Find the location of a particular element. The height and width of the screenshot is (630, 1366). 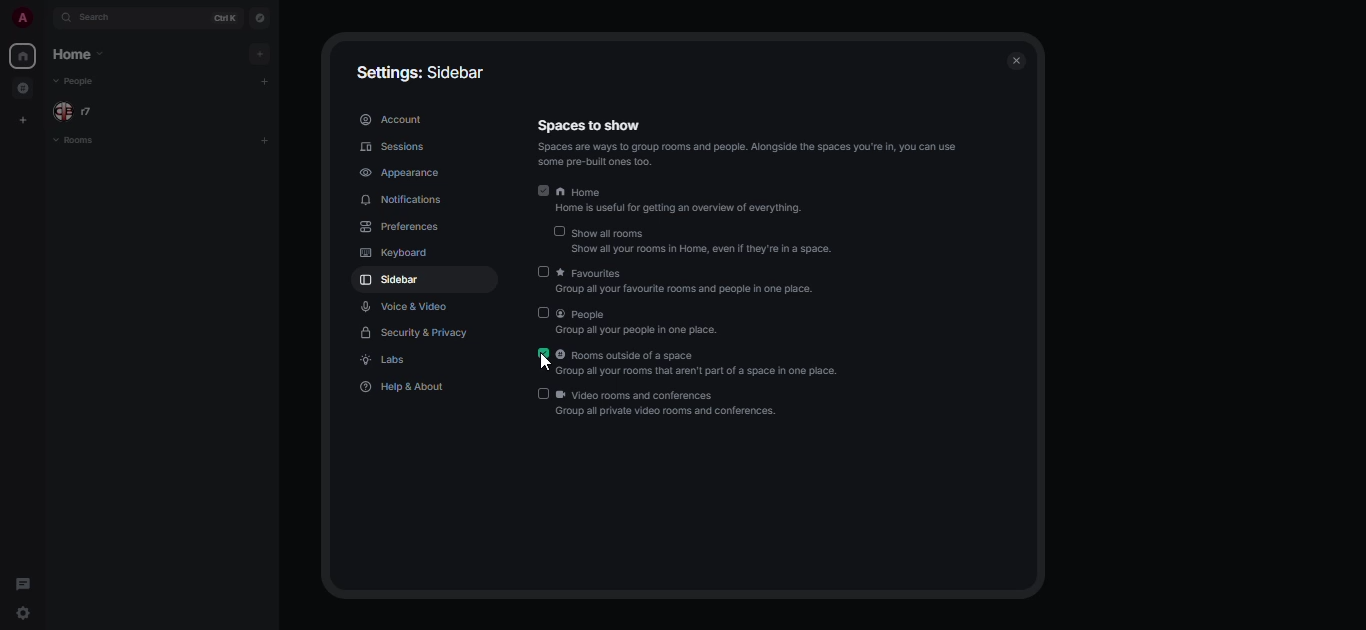

sessions is located at coordinates (395, 148).